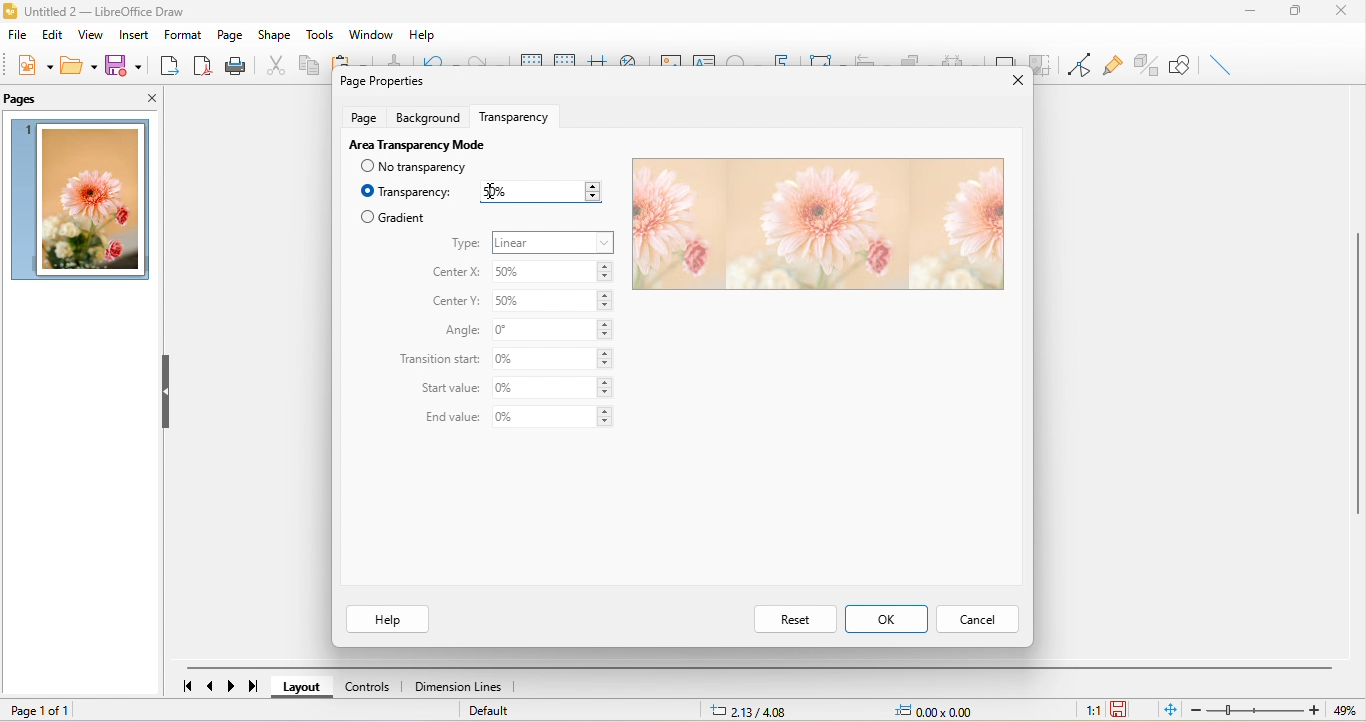 The image size is (1366, 722). Describe the element at coordinates (165, 63) in the screenshot. I see `export` at that location.